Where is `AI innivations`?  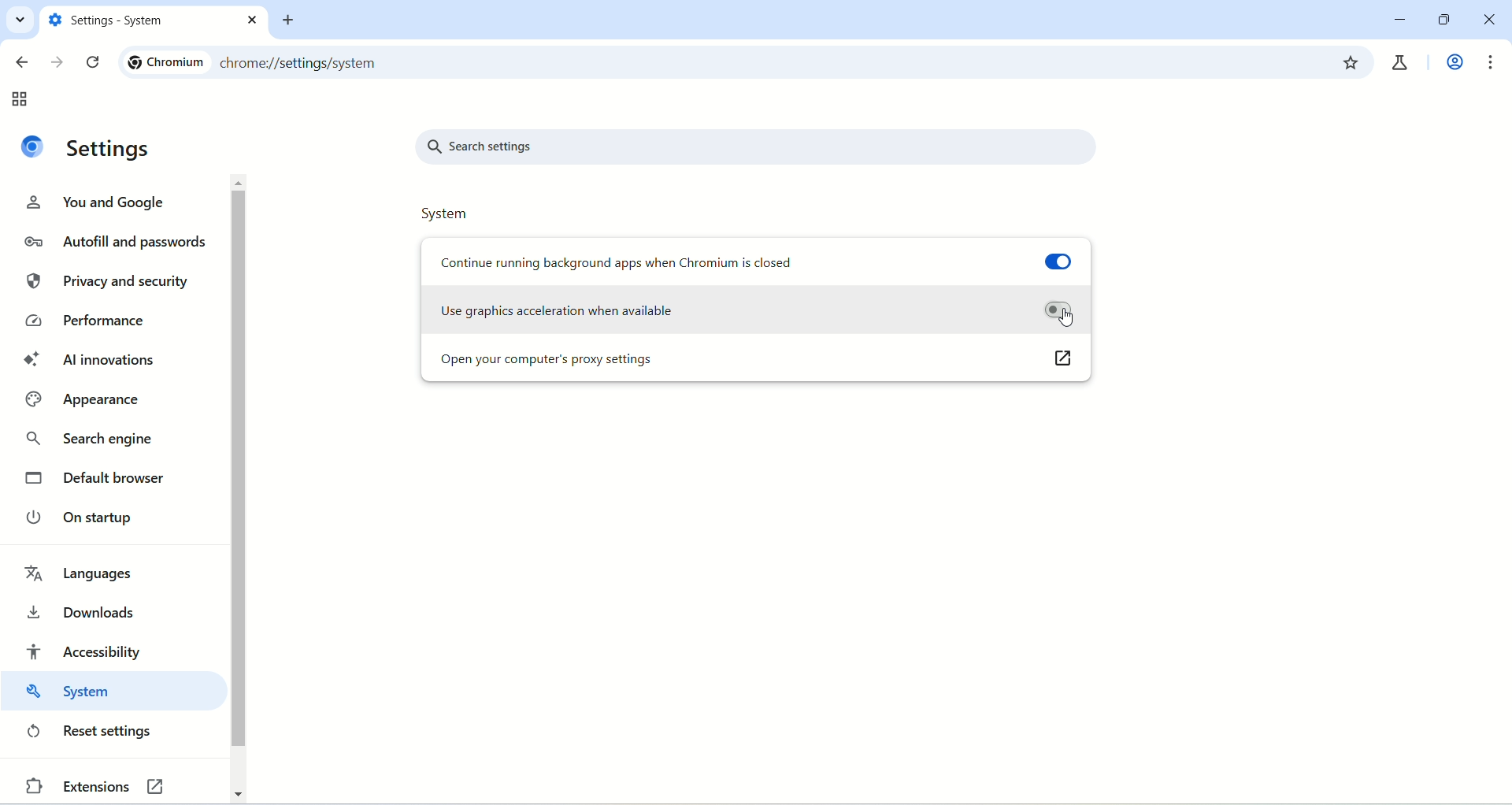 AI innivations is located at coordinates (89, 362).